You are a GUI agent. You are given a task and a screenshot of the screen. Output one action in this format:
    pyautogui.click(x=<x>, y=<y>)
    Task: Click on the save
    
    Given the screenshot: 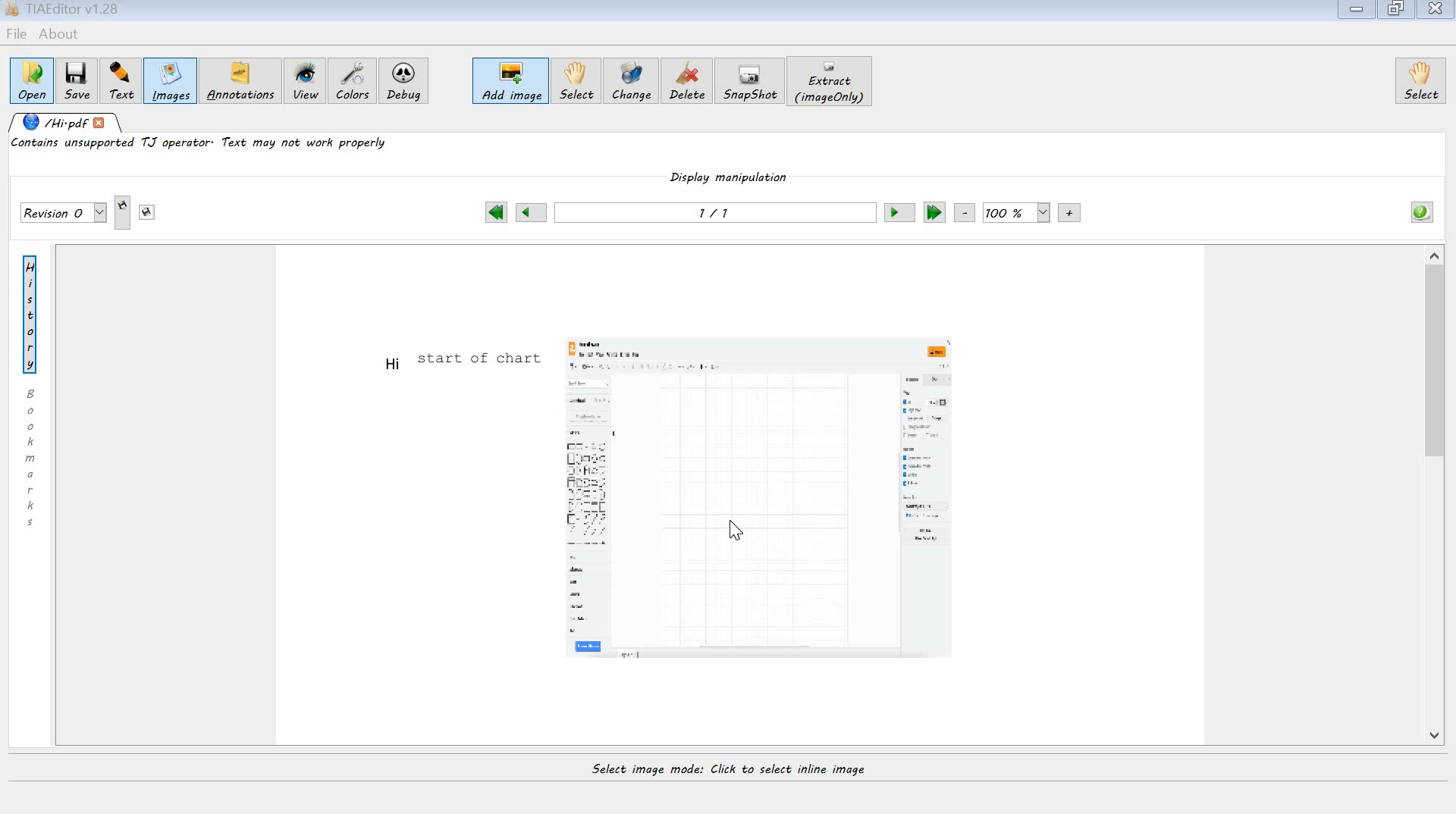 What is the action you would take?
    pyautogui.click(x=77, y=80)
    